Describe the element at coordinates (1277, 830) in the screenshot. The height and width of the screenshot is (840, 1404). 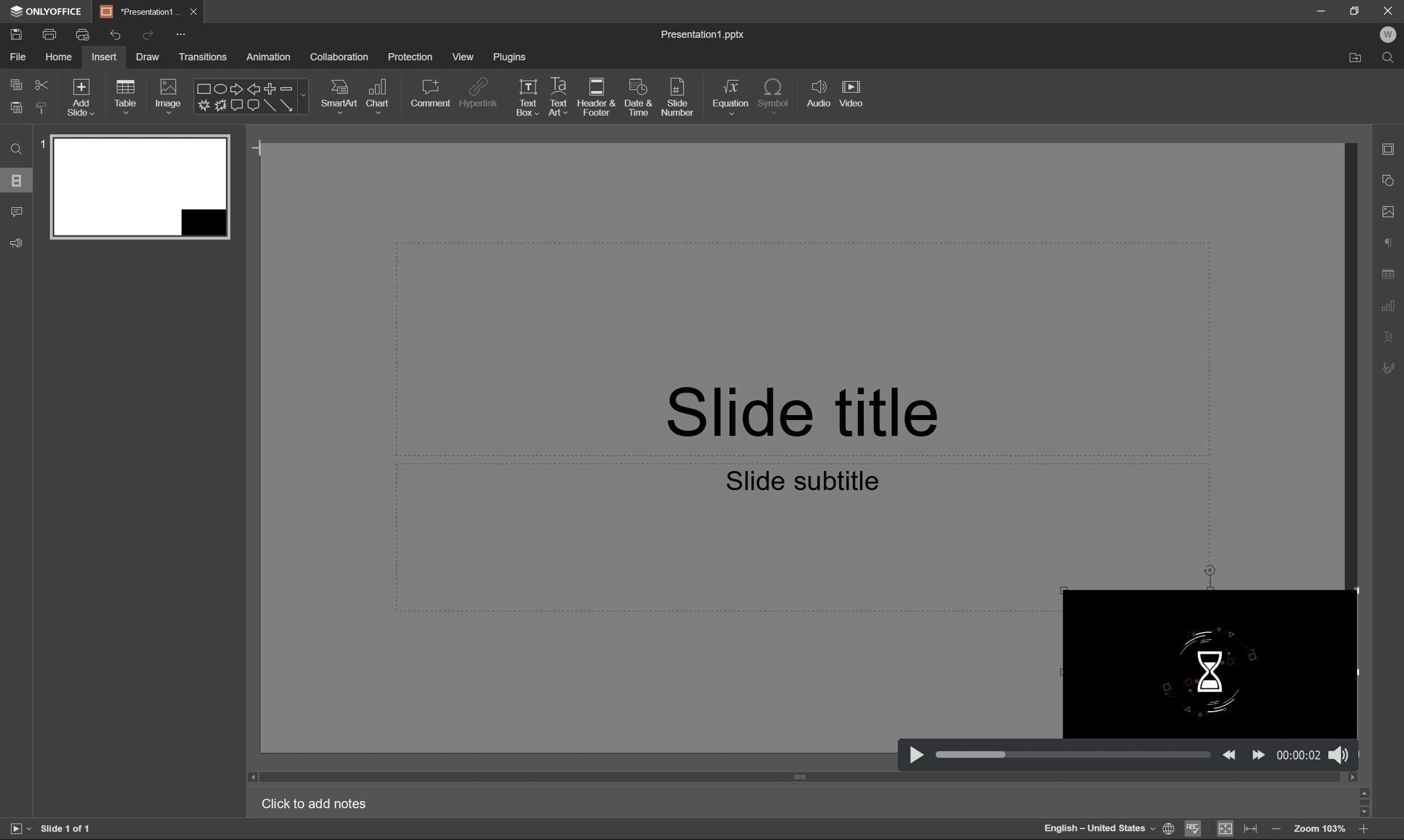
I see `zoom in` at that location.